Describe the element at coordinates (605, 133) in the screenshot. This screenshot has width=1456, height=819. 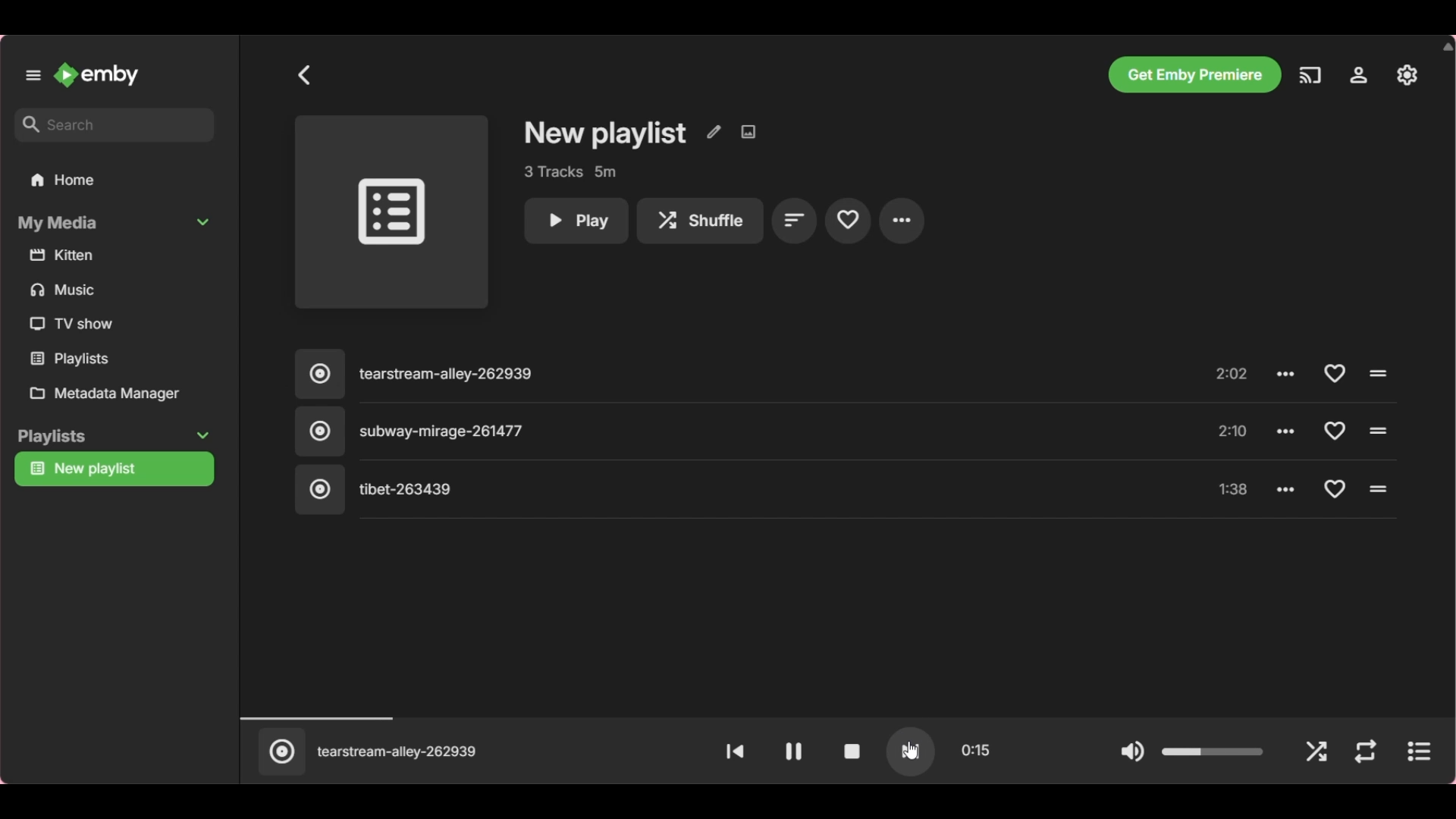
I see `Playlist title` at that location.